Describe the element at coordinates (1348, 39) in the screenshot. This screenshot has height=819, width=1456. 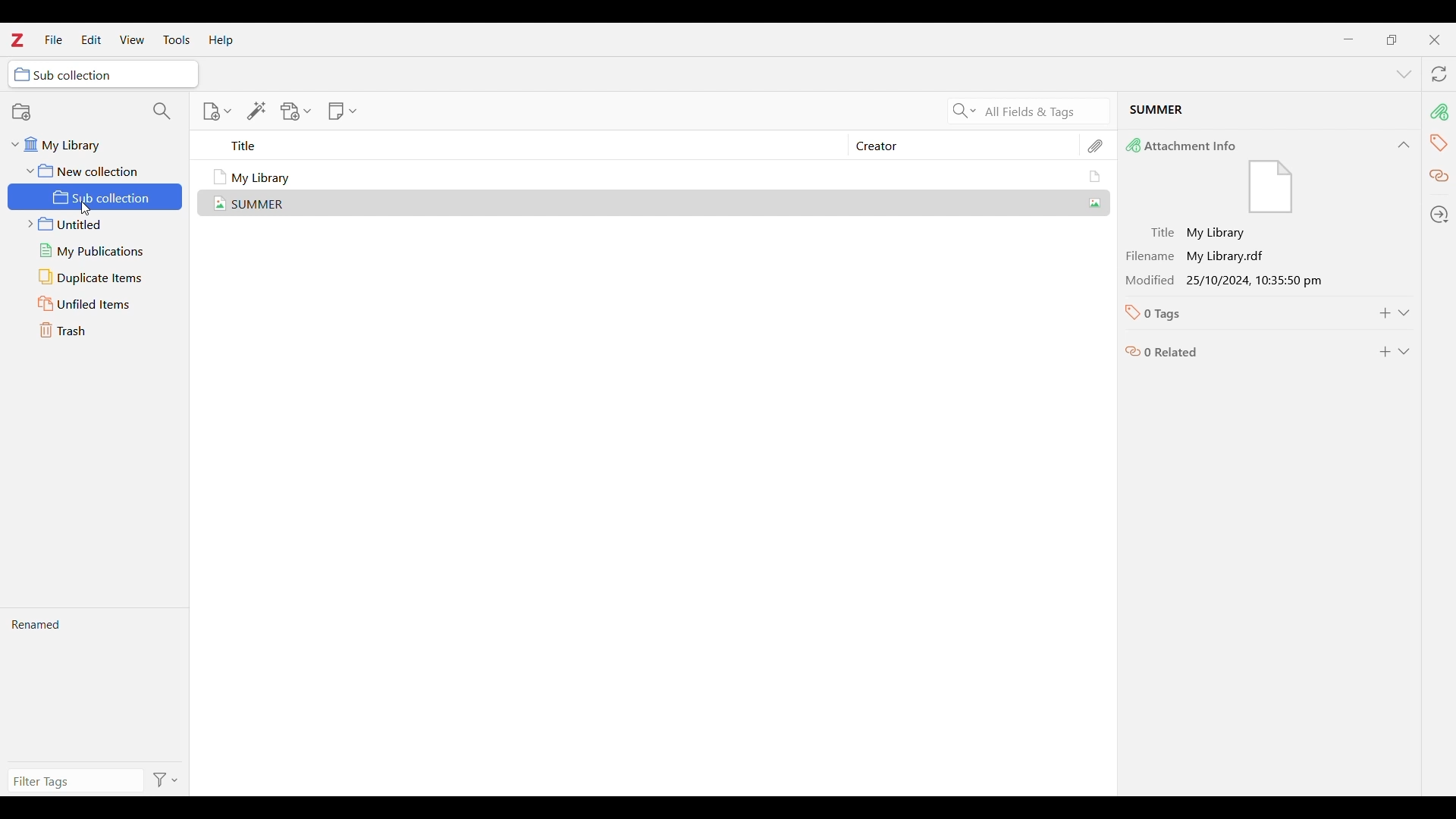
I see `Minimize` at that location.